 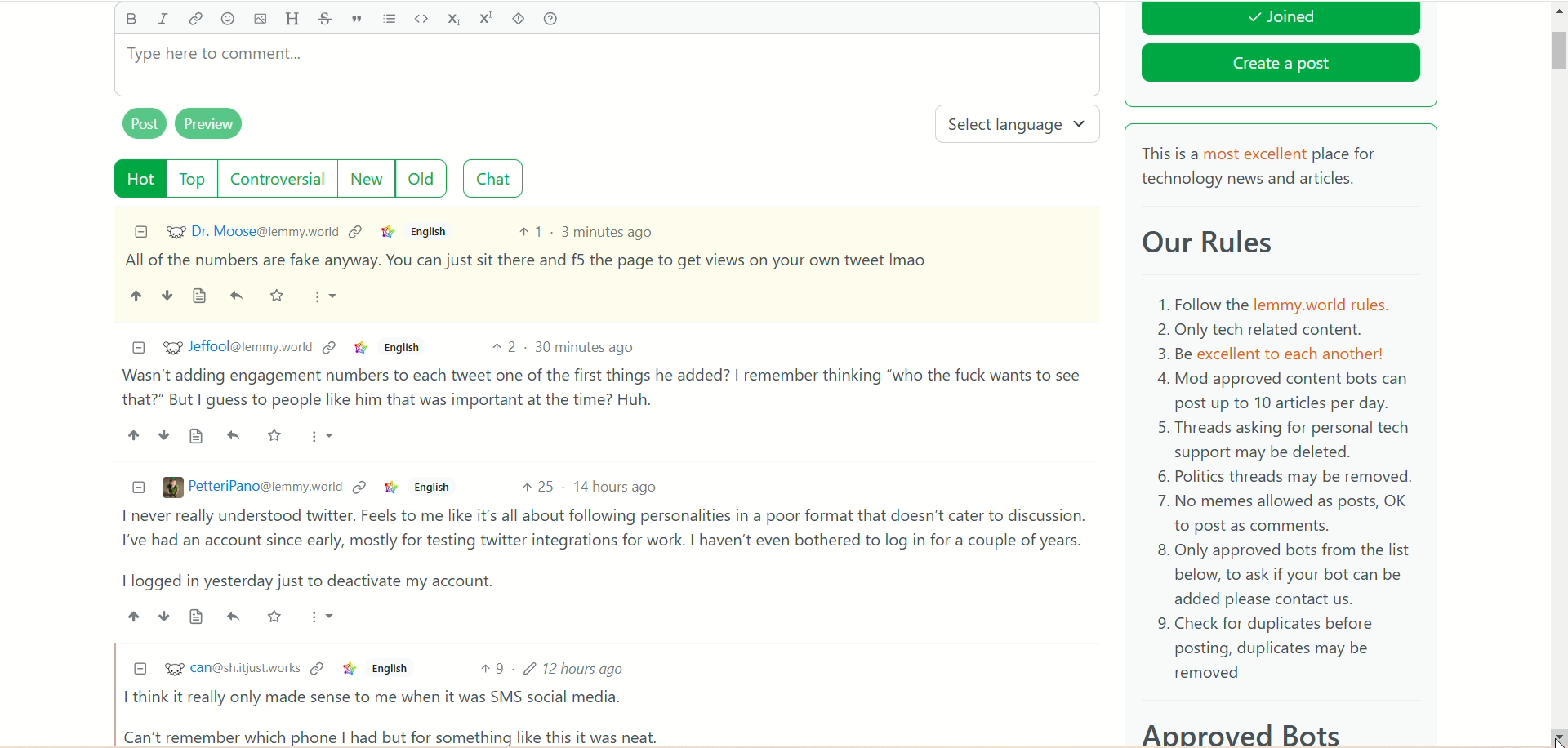 I want to click on controversial, so click(x=278, y=178).